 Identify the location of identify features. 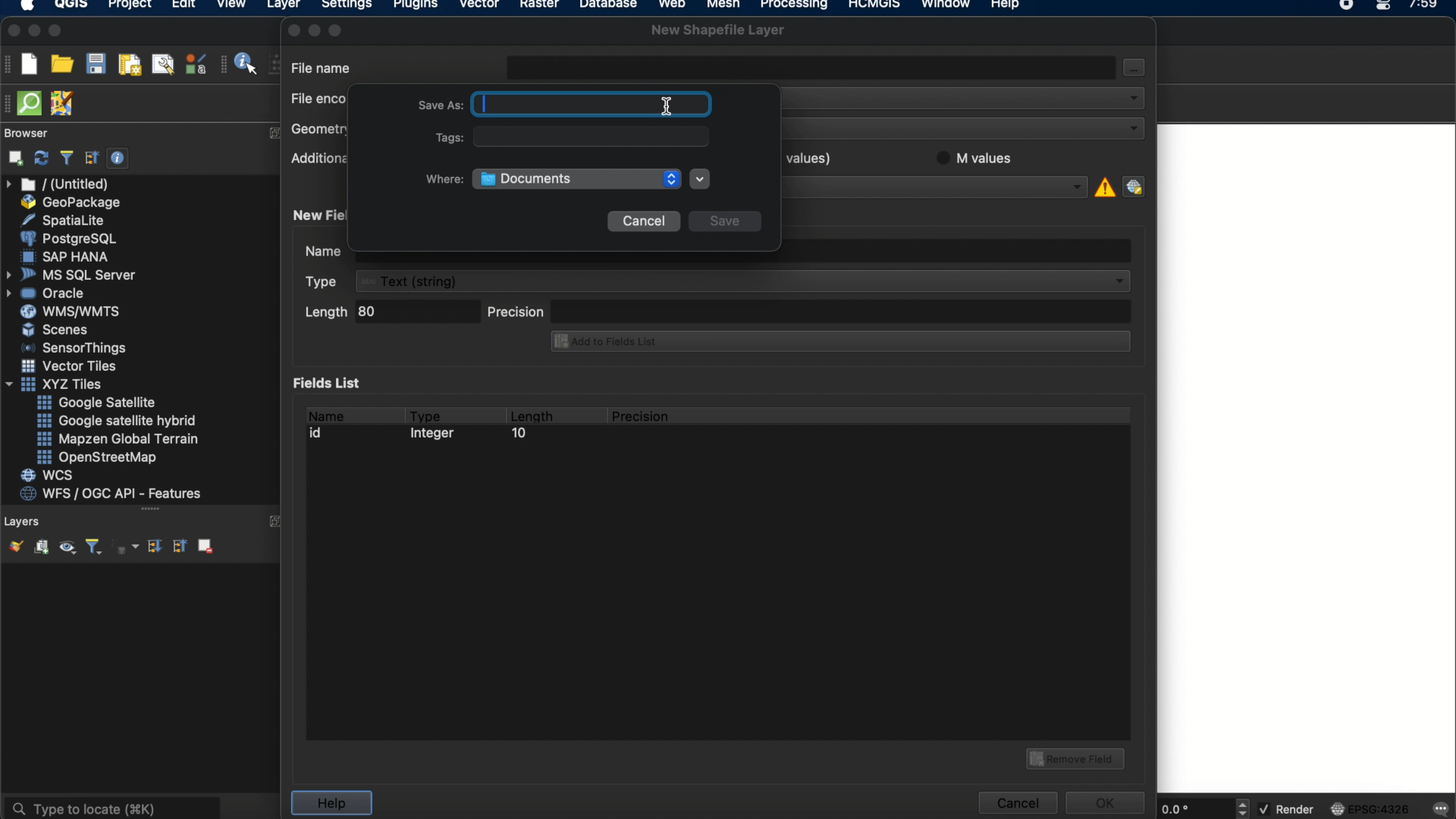
(240, 64).